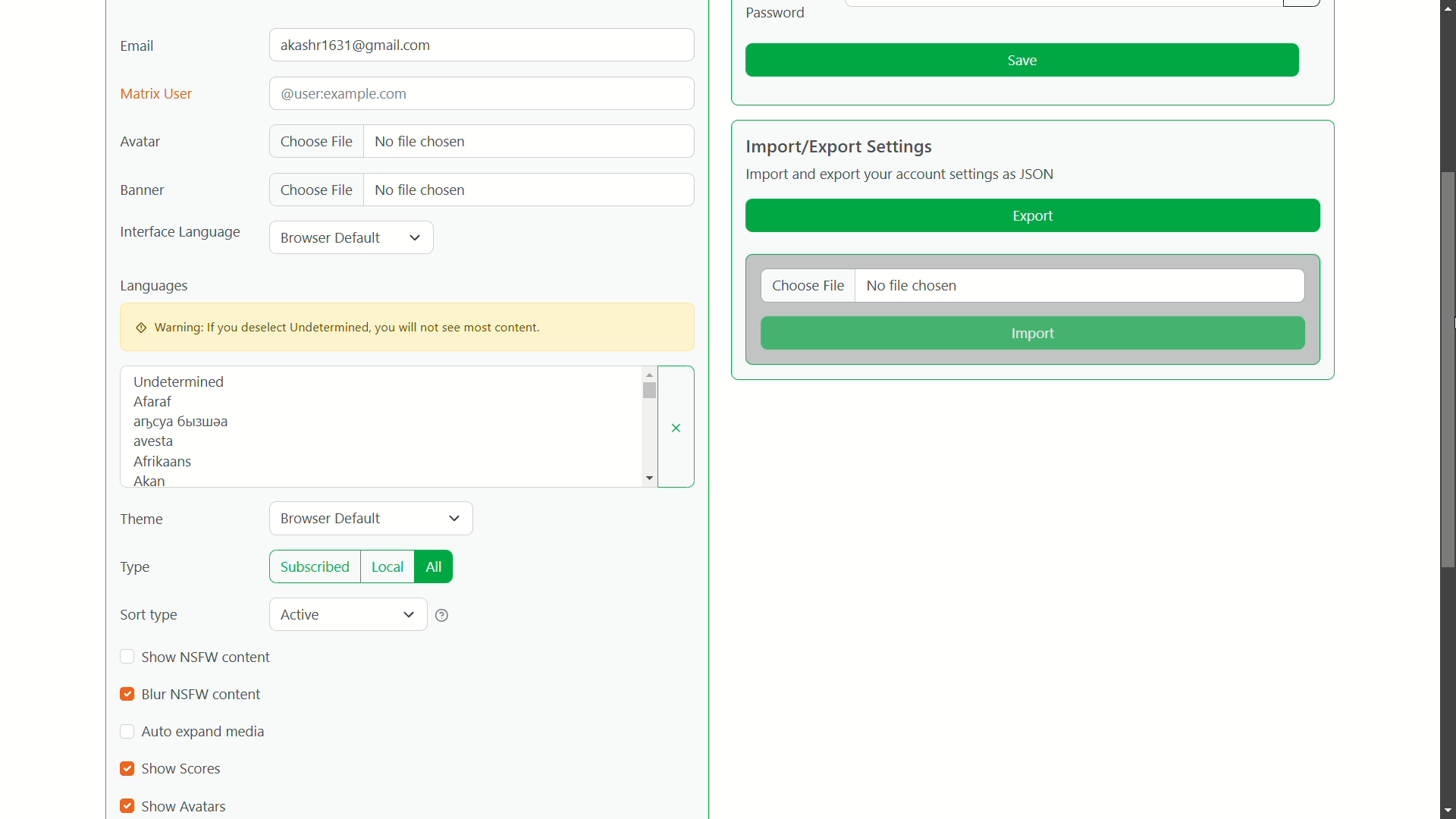  Describe the element at coordinates (127, 733) in the screenshot. I see `check box` at that location.